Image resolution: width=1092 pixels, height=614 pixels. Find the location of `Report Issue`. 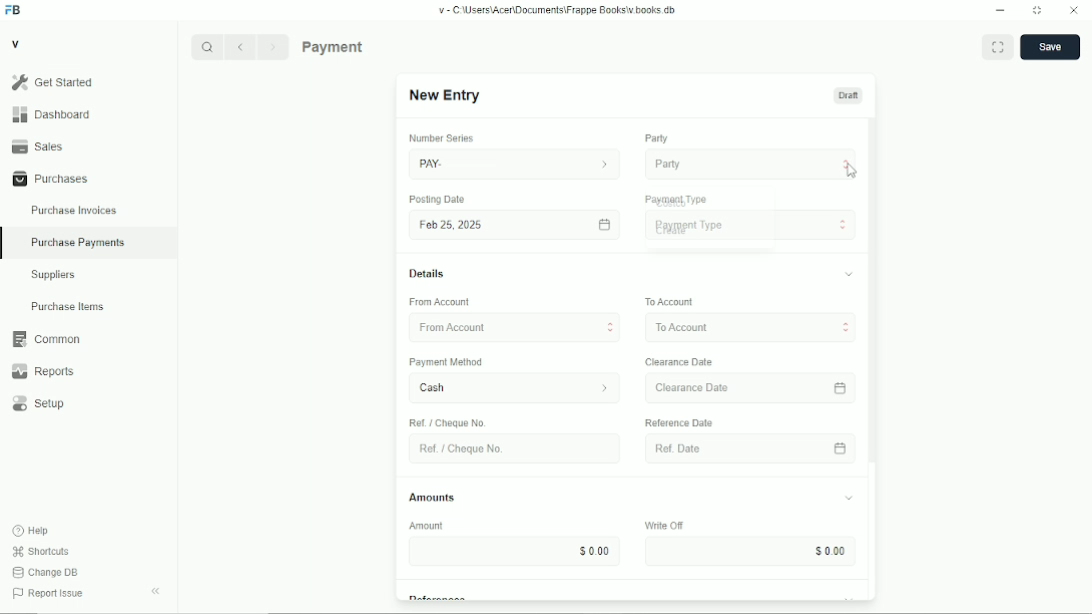

Report Issue is located at coordinates (49, 593).